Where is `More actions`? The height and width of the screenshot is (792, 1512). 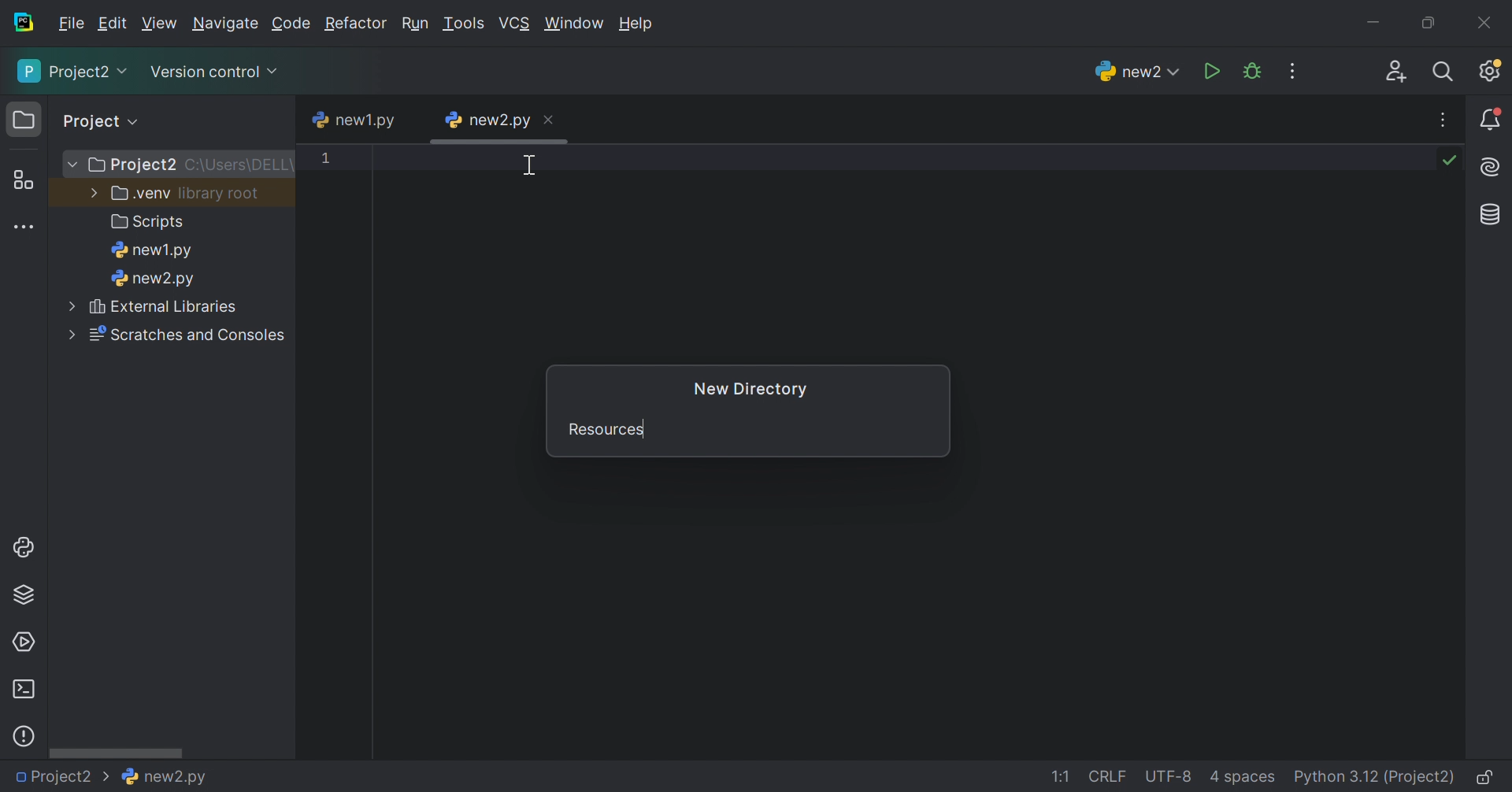 More actions is located at coordinates (1446, 120).